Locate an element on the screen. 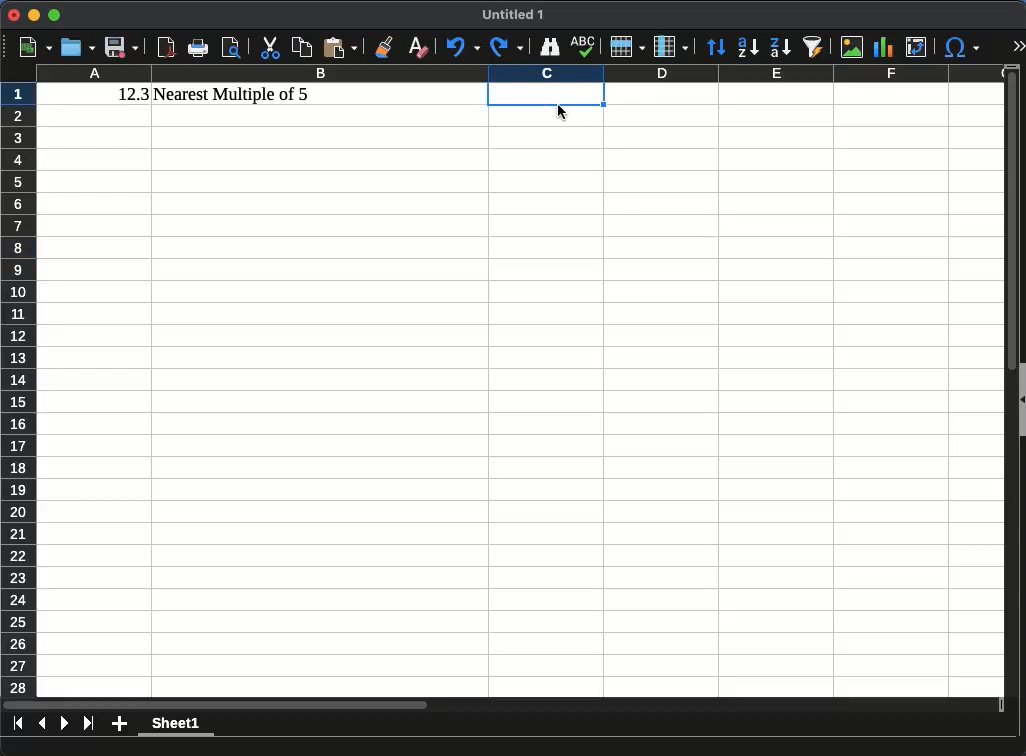 This screenshot has height=756, width=1026. clear formatting is located at coordinates (417, 48).